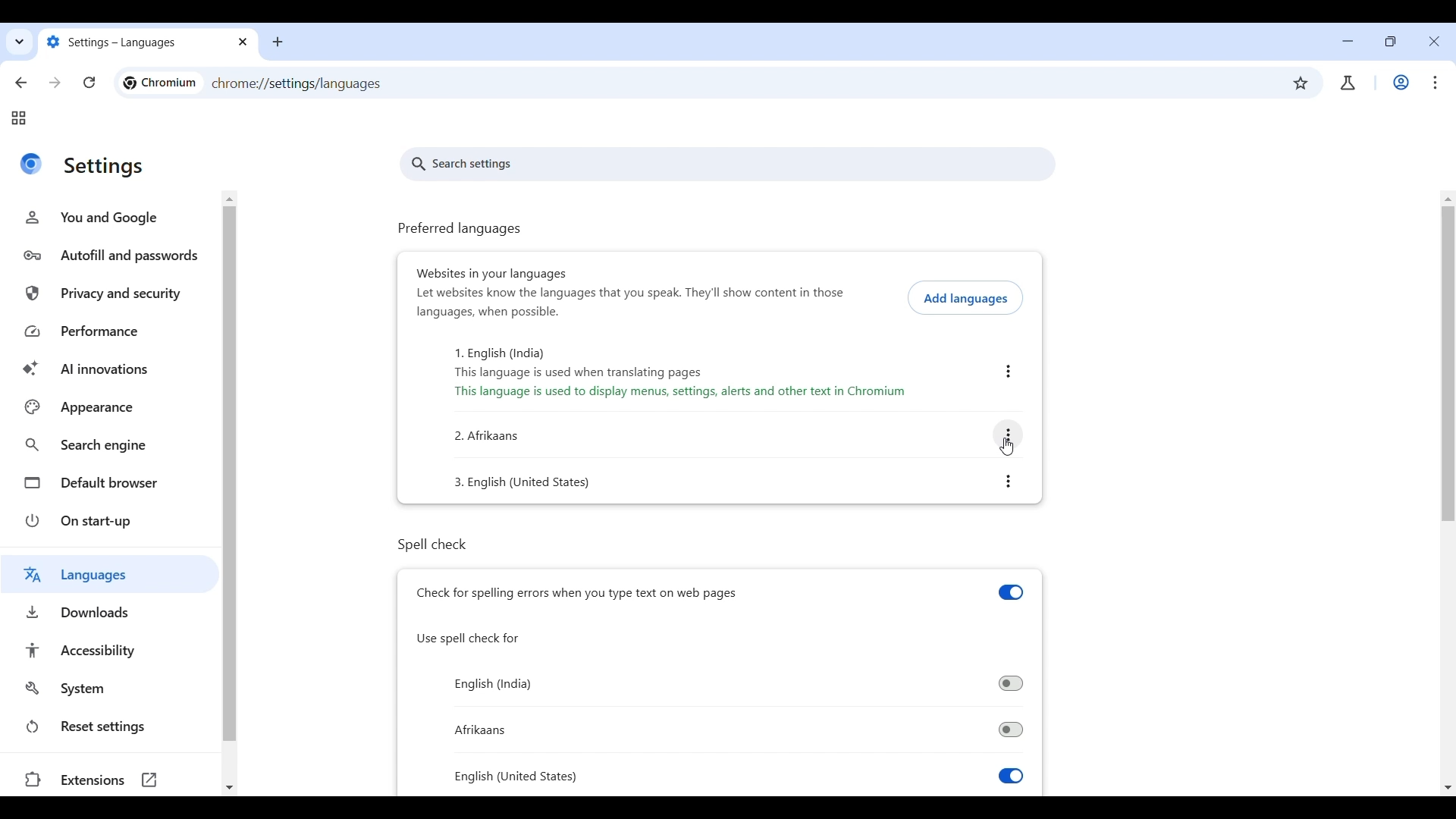  What do you see at coordinates (18, 118) in the screenshot?
I see `Tab groups` at bounding box center [18, 118].